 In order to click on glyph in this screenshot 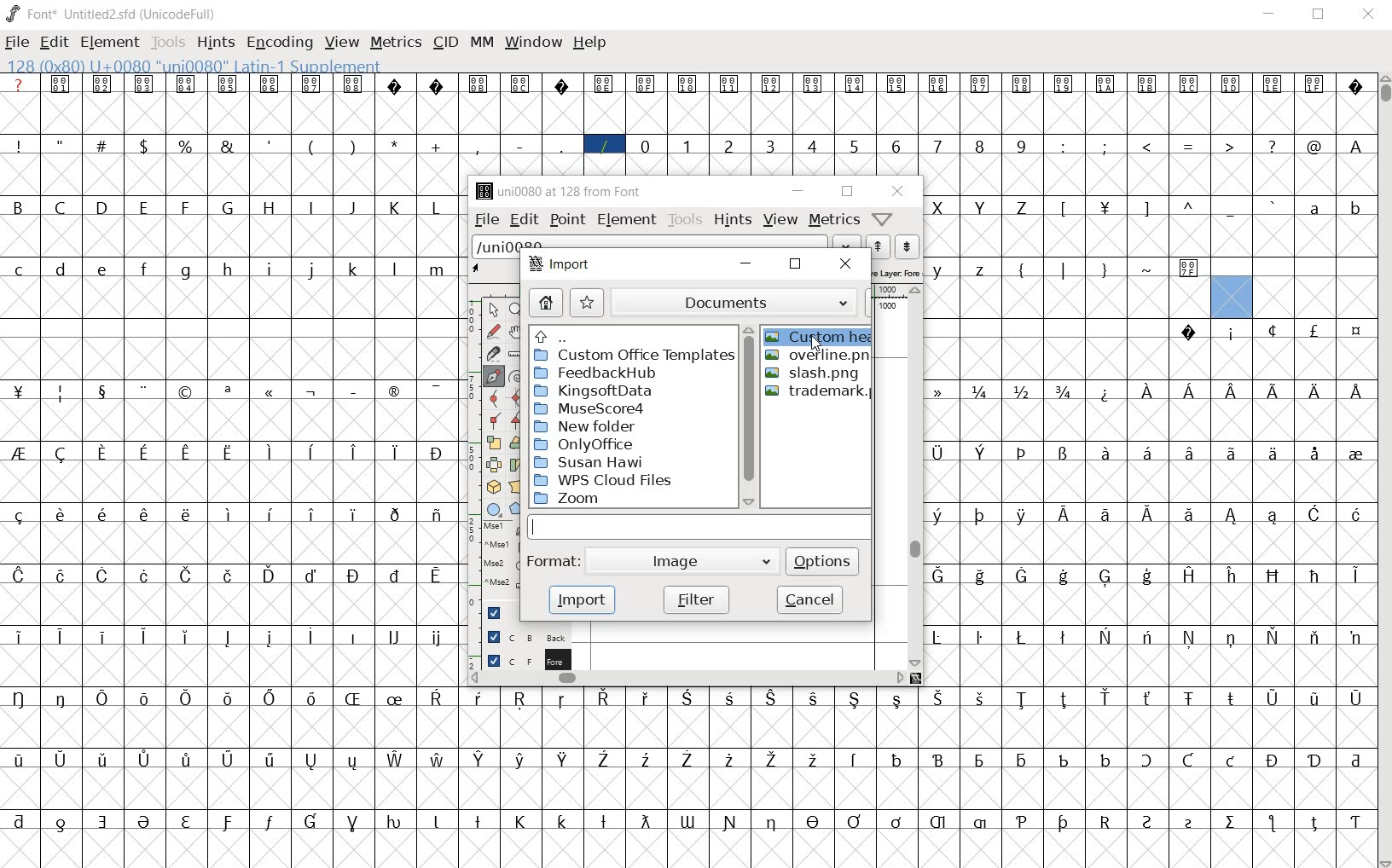, I will do `click(435, 391)`.